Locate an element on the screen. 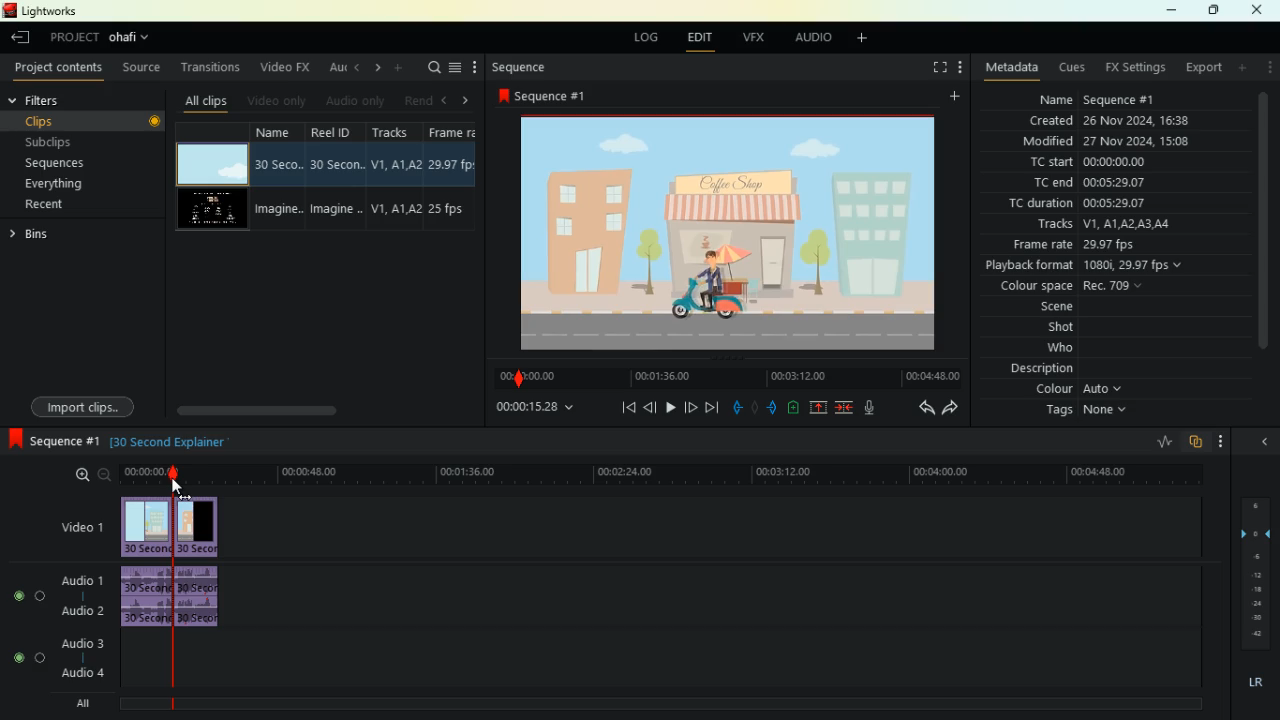  tracks is located at coordinates (1057, 225).